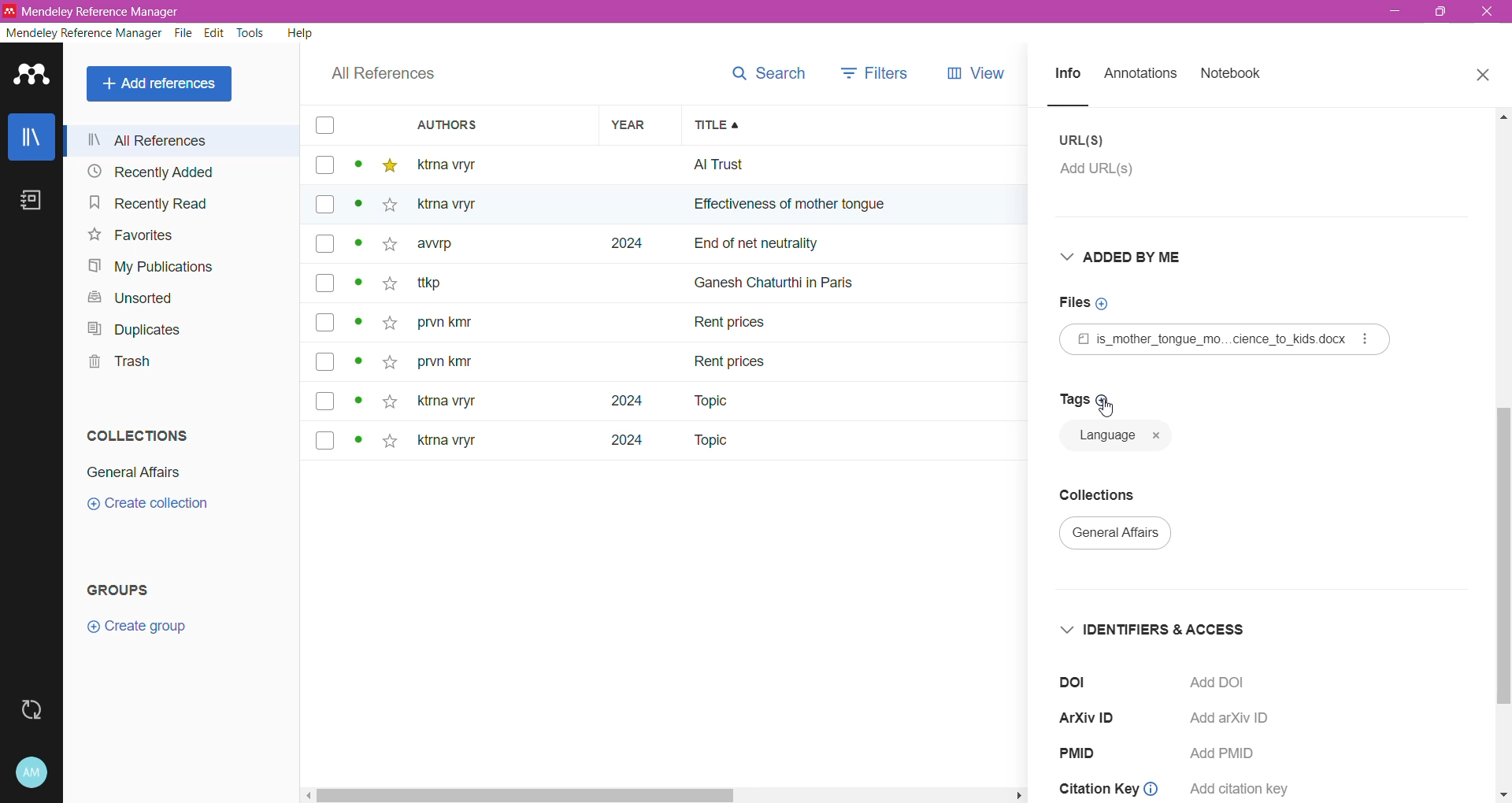 Image resolution: width=1512 pixels, height=803 pixels. Describe the element at coordinates (1083, 752) in the screenshot. I see `PMID` at that location.